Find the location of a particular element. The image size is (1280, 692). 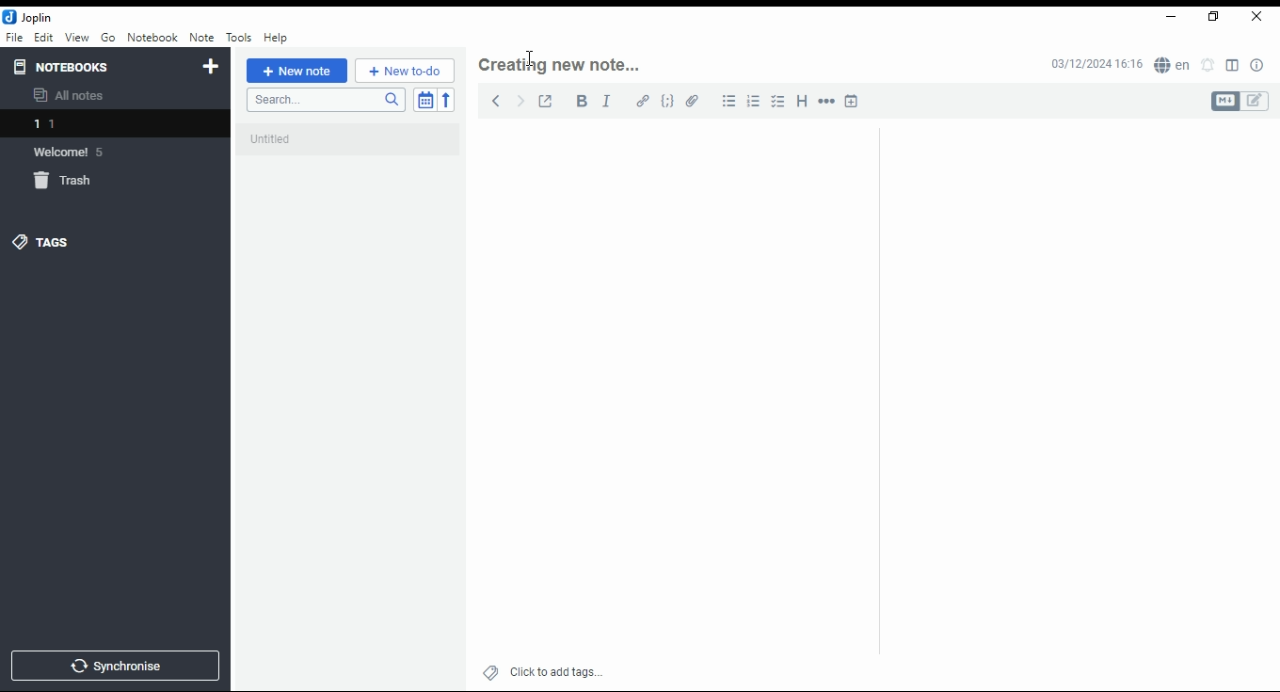

toggle sort order field is located at coordinates (425, 100).